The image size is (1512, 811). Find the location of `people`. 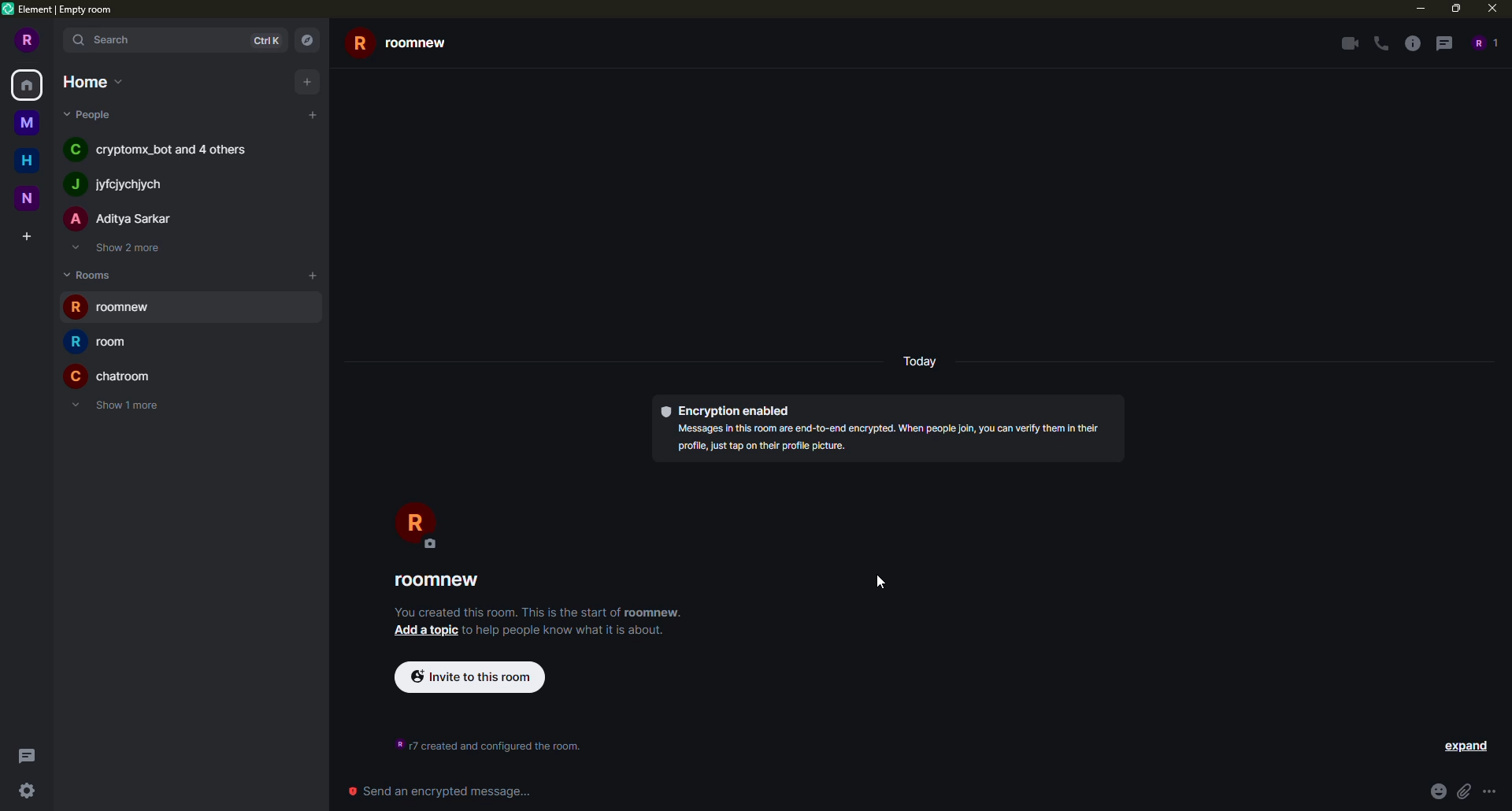

people is located at coordinates (123, 183).